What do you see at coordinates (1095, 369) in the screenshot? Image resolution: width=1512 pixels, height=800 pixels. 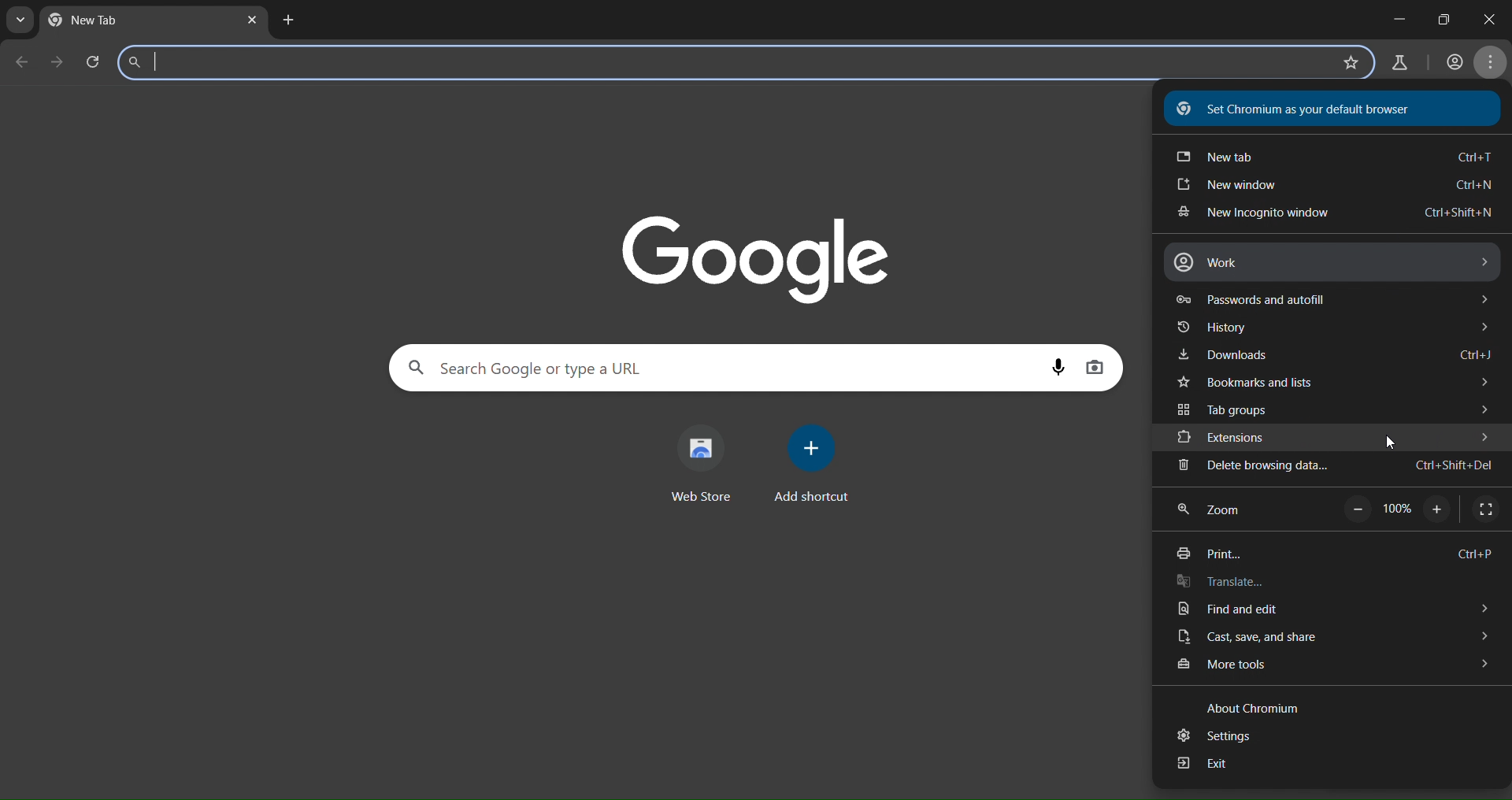 I see `image search` at bounding box center [1095, 369].